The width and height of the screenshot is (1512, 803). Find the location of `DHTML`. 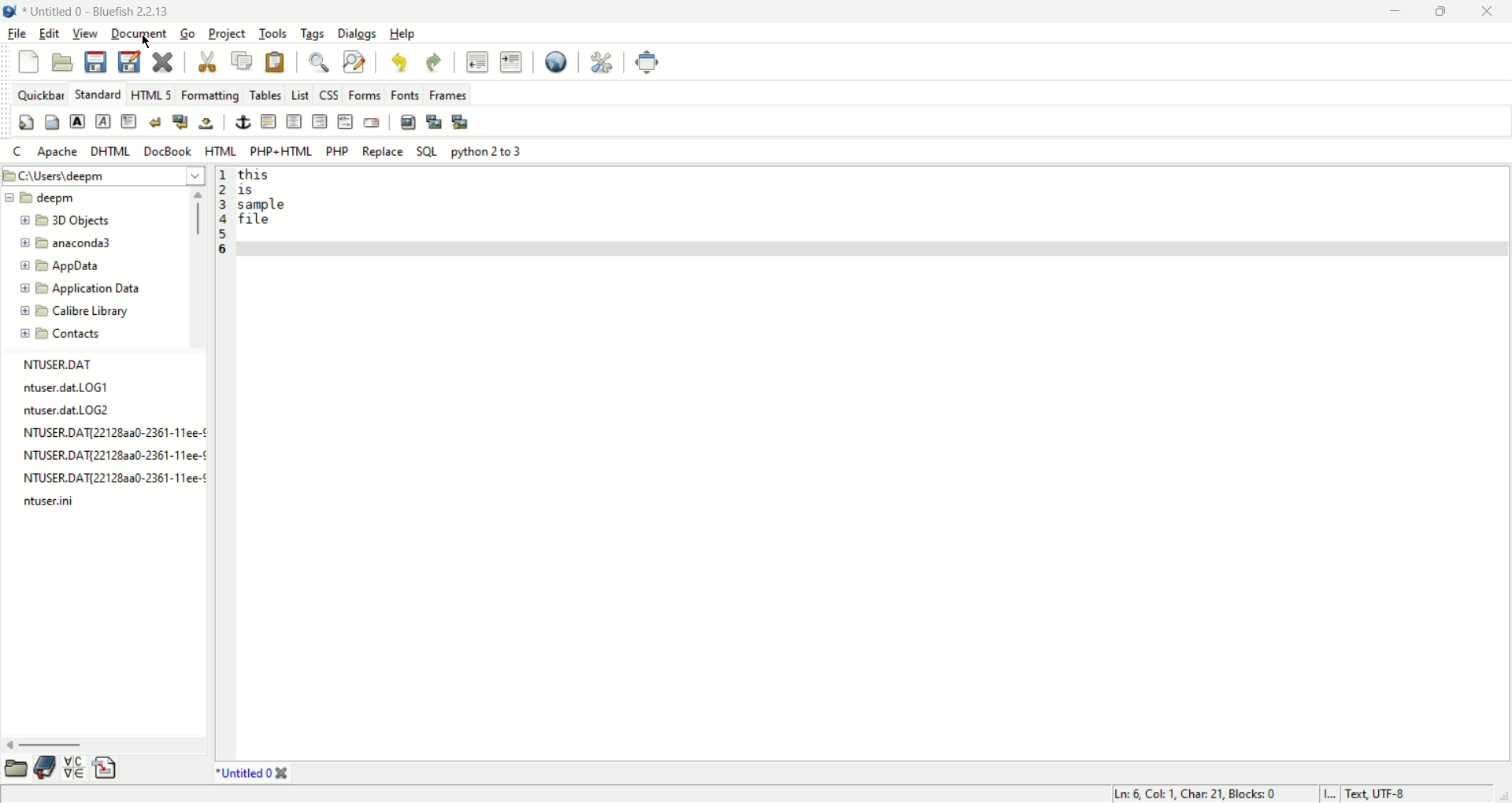

DHTML is located at coordinates (109, 150).